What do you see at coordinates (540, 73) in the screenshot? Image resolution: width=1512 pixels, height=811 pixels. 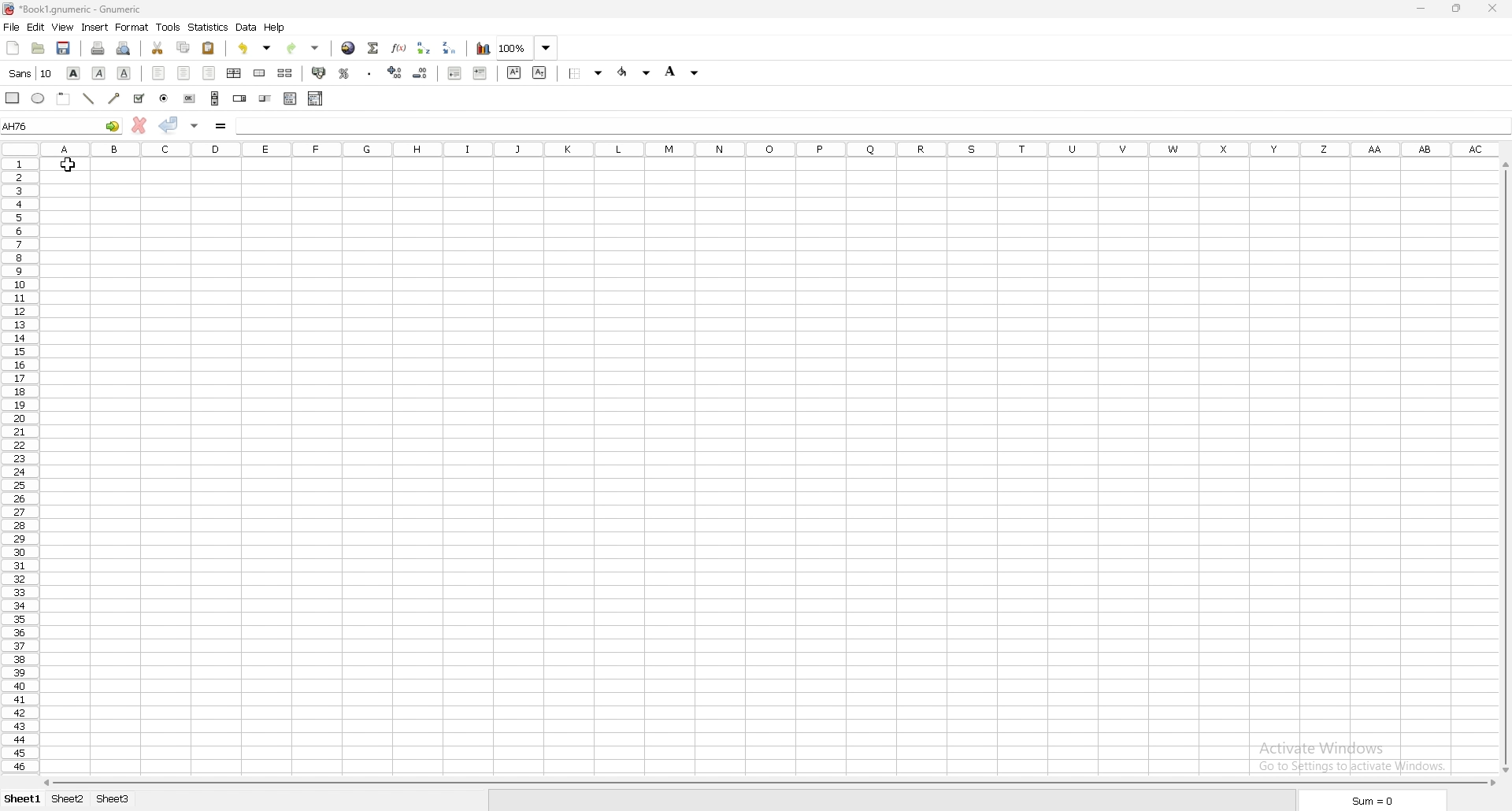 I see `subscript` at bounding box center [540, 73].